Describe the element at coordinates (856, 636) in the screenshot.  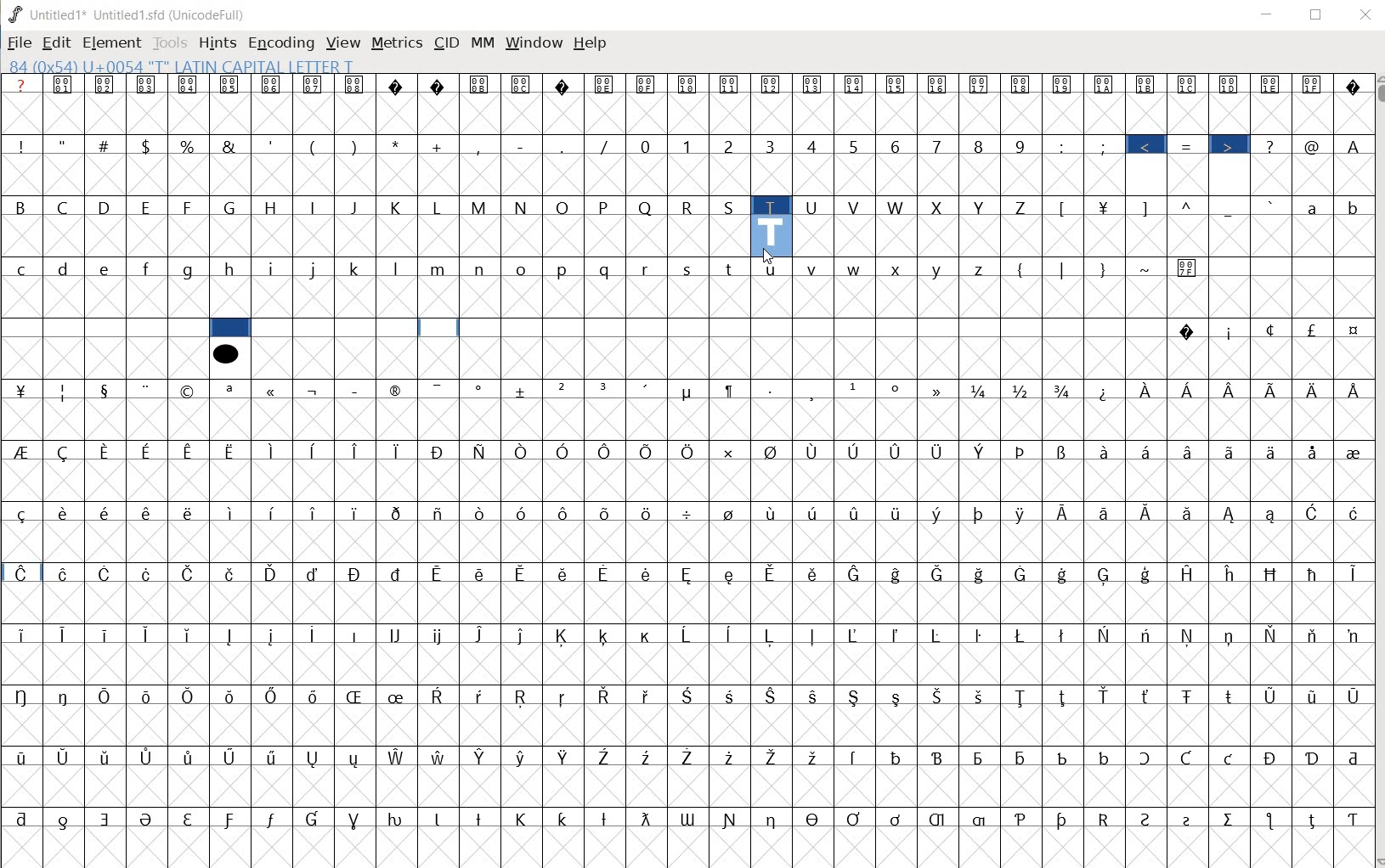
I see `Symbol` at that location.